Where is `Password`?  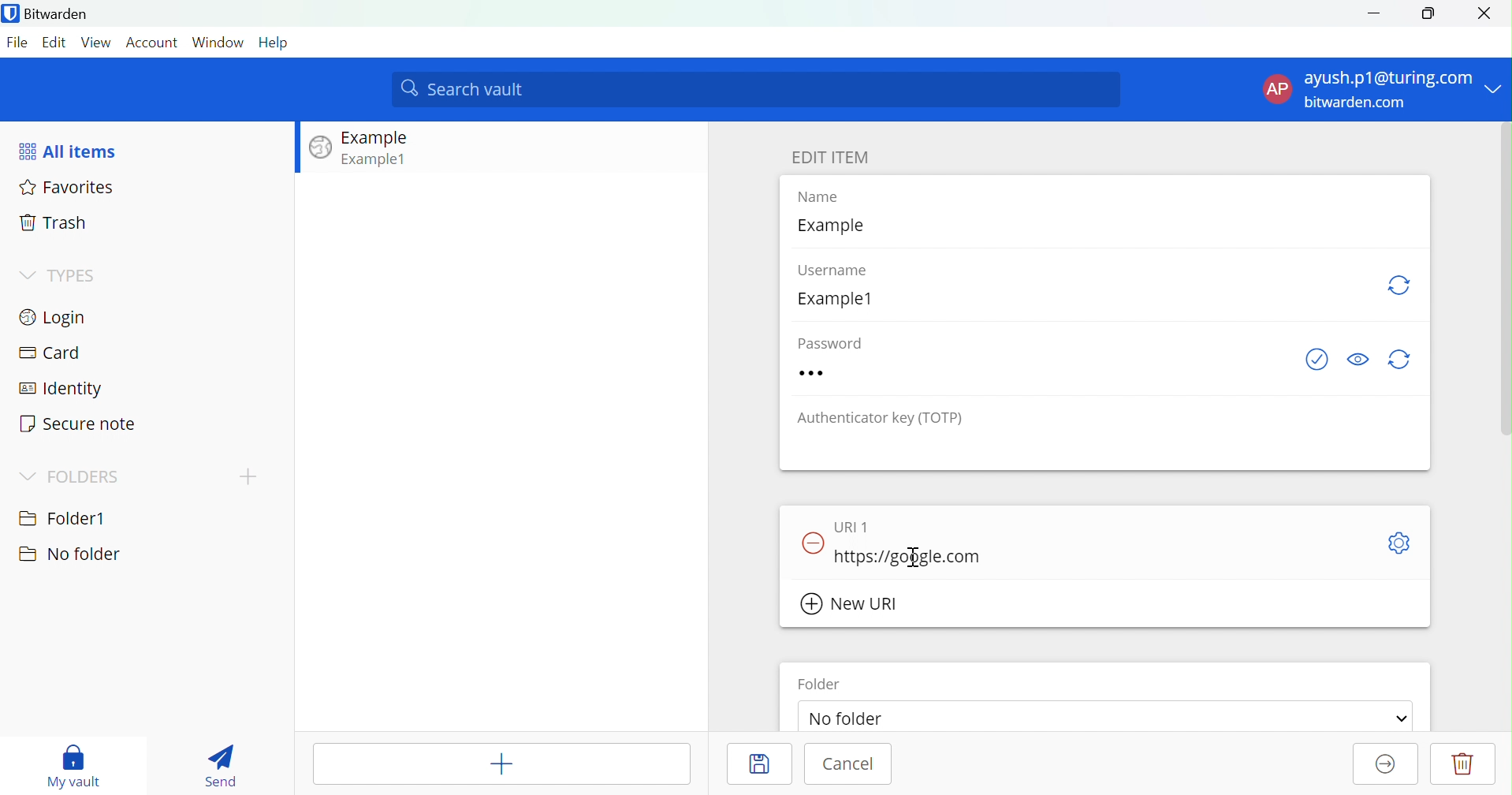
Password is located at coordinates (845, 372).